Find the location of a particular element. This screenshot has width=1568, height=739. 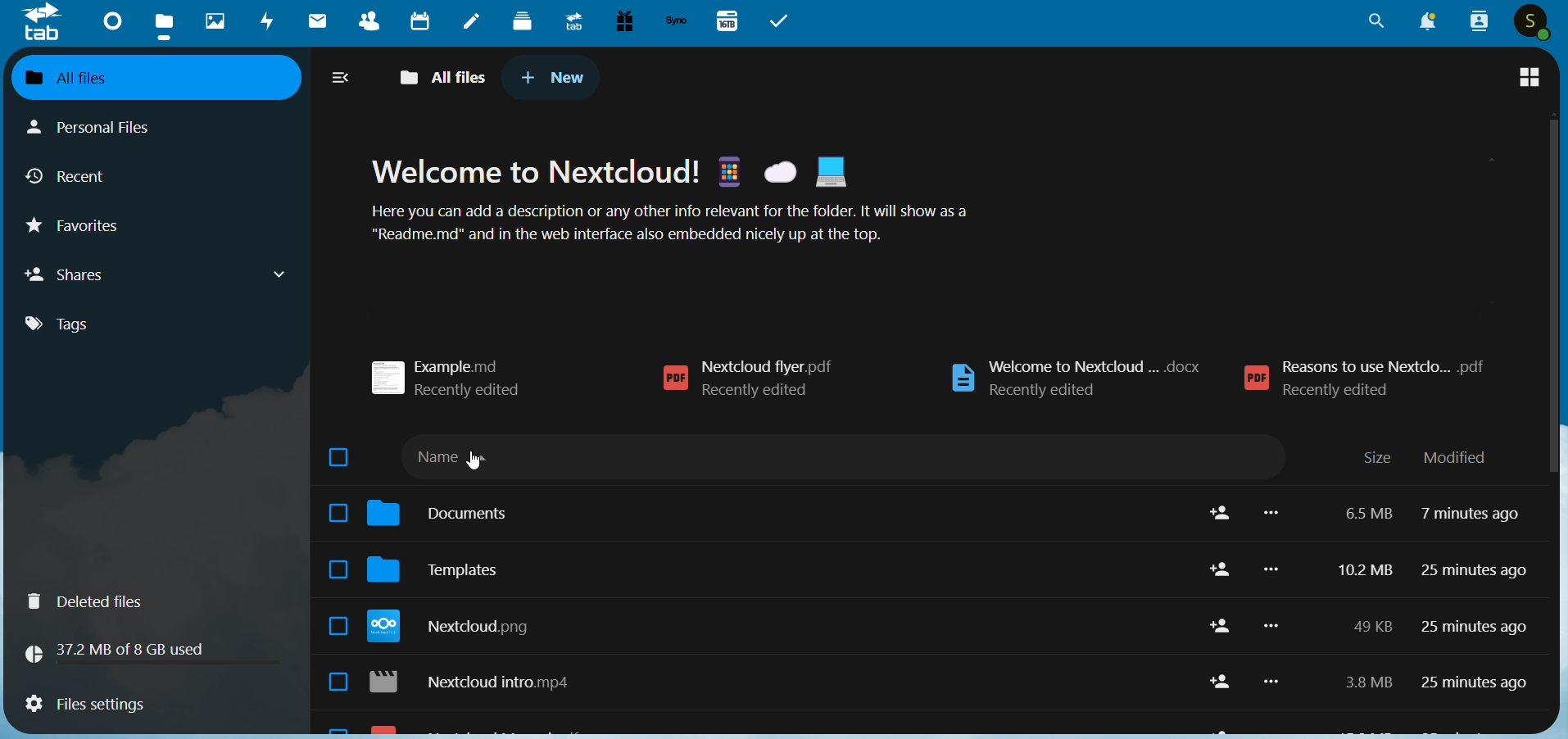

share is located at coordinates (1216, 601).